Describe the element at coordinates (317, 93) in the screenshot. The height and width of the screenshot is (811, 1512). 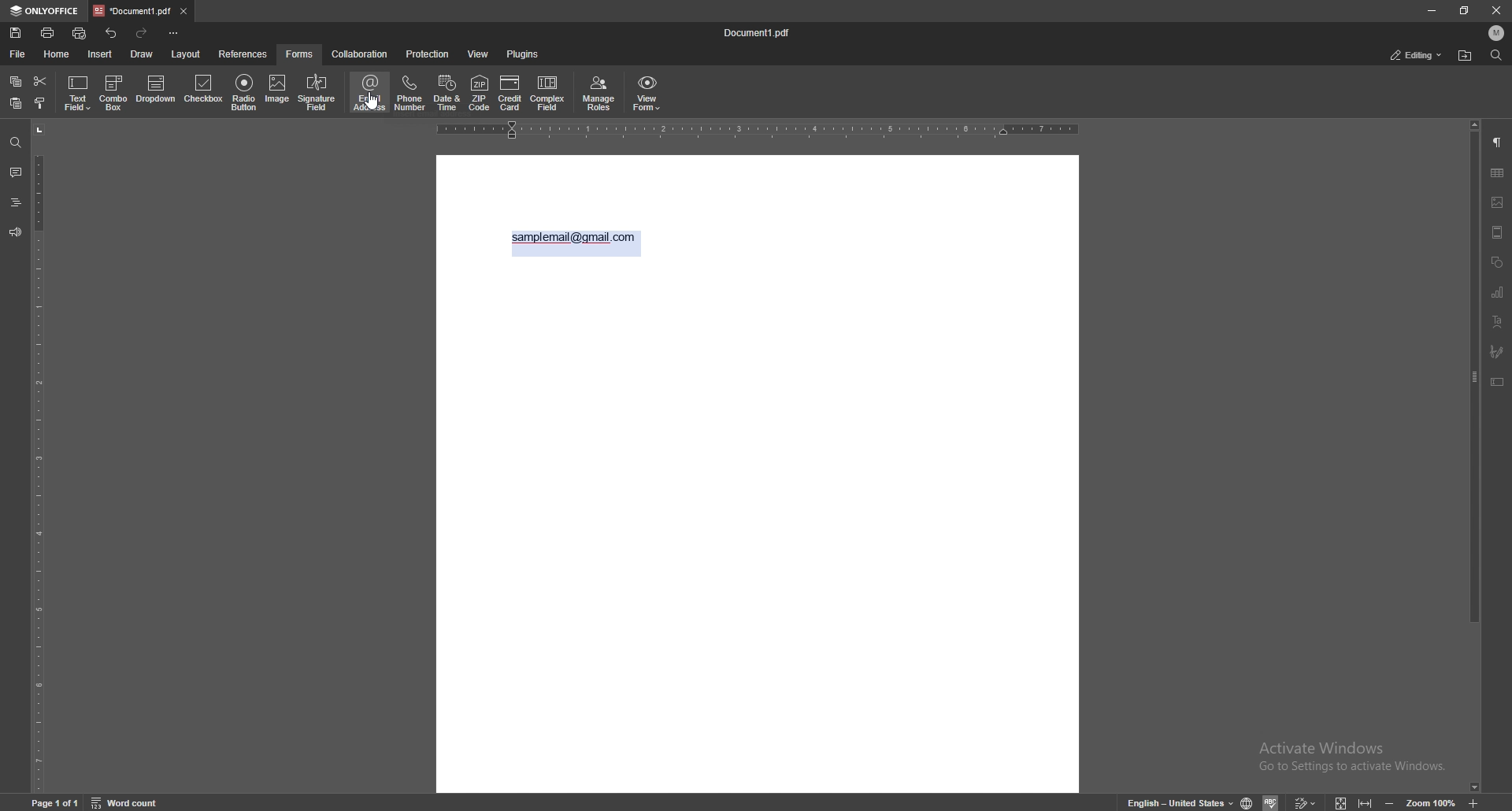
I see `signature field` at that location.